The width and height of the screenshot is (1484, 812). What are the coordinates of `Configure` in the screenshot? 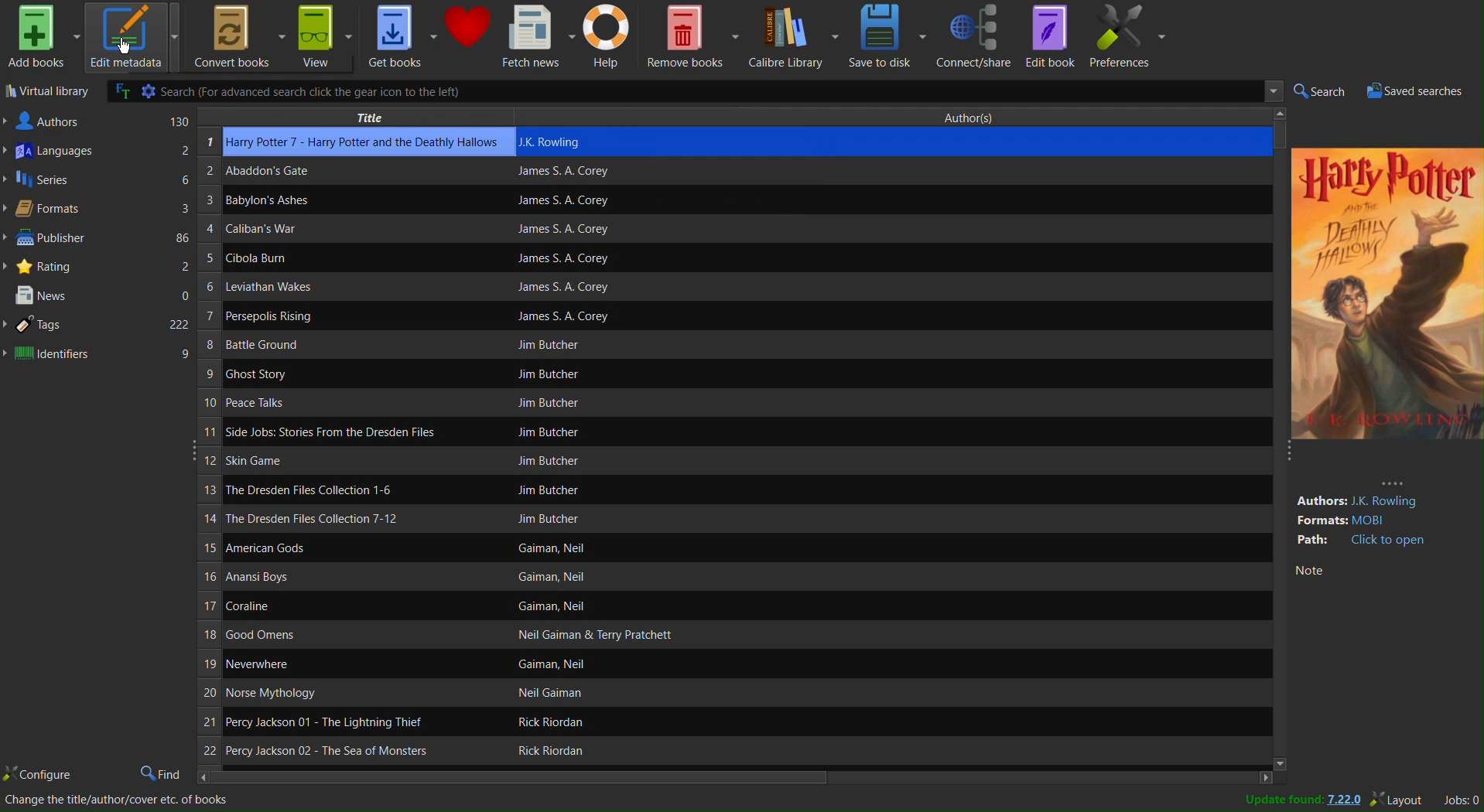 It's located at (39, 772).